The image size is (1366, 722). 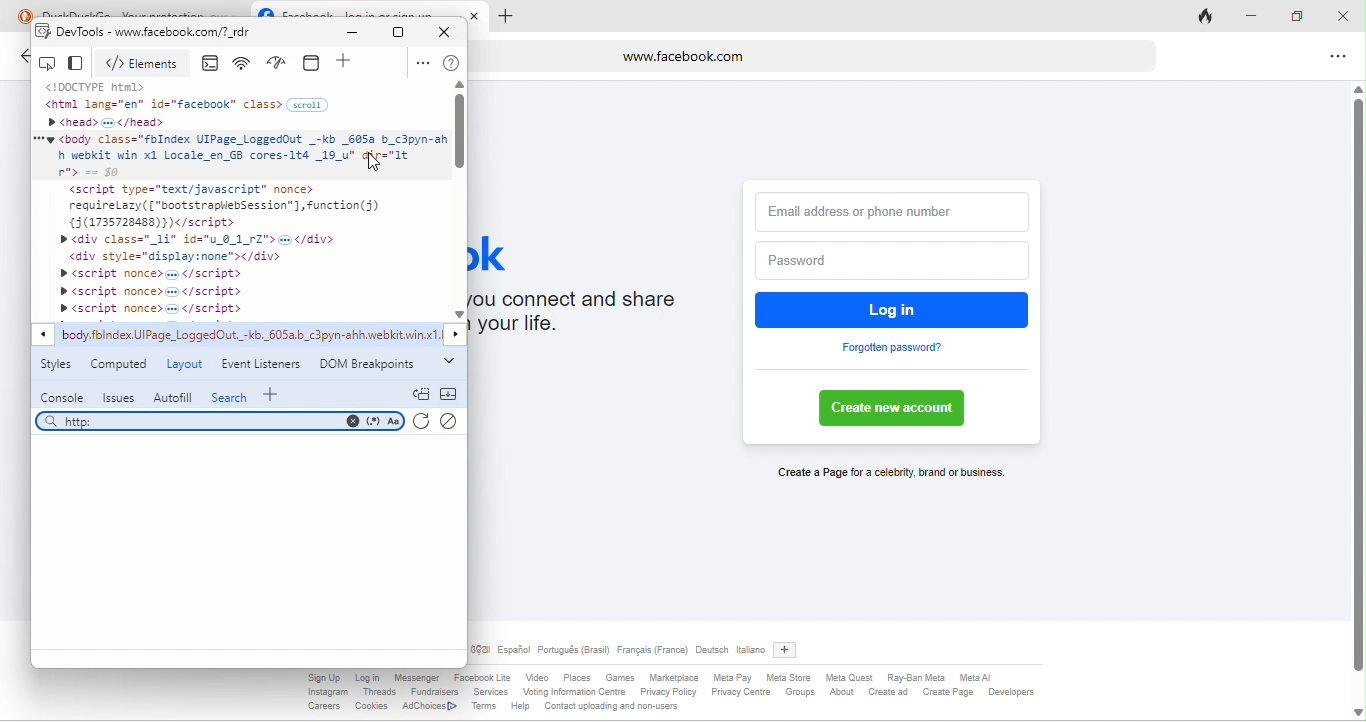 I want to click on facebook logo, so click(x=265, y=9).